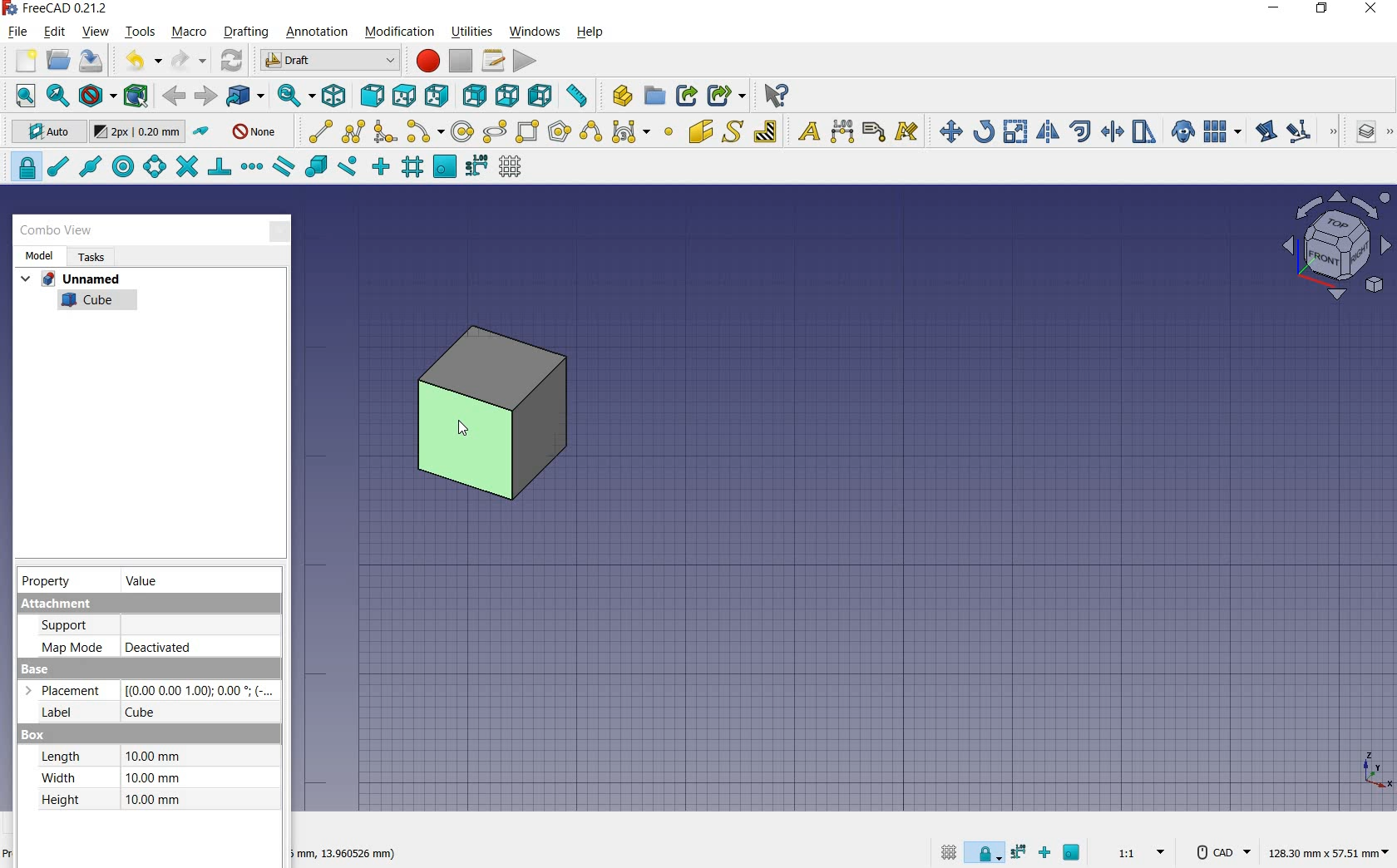 The width and height of the screenshot is (1397, 868). Describe the element at coordinates (726, 96) in the screenshot. I see `make sub link` at that location.